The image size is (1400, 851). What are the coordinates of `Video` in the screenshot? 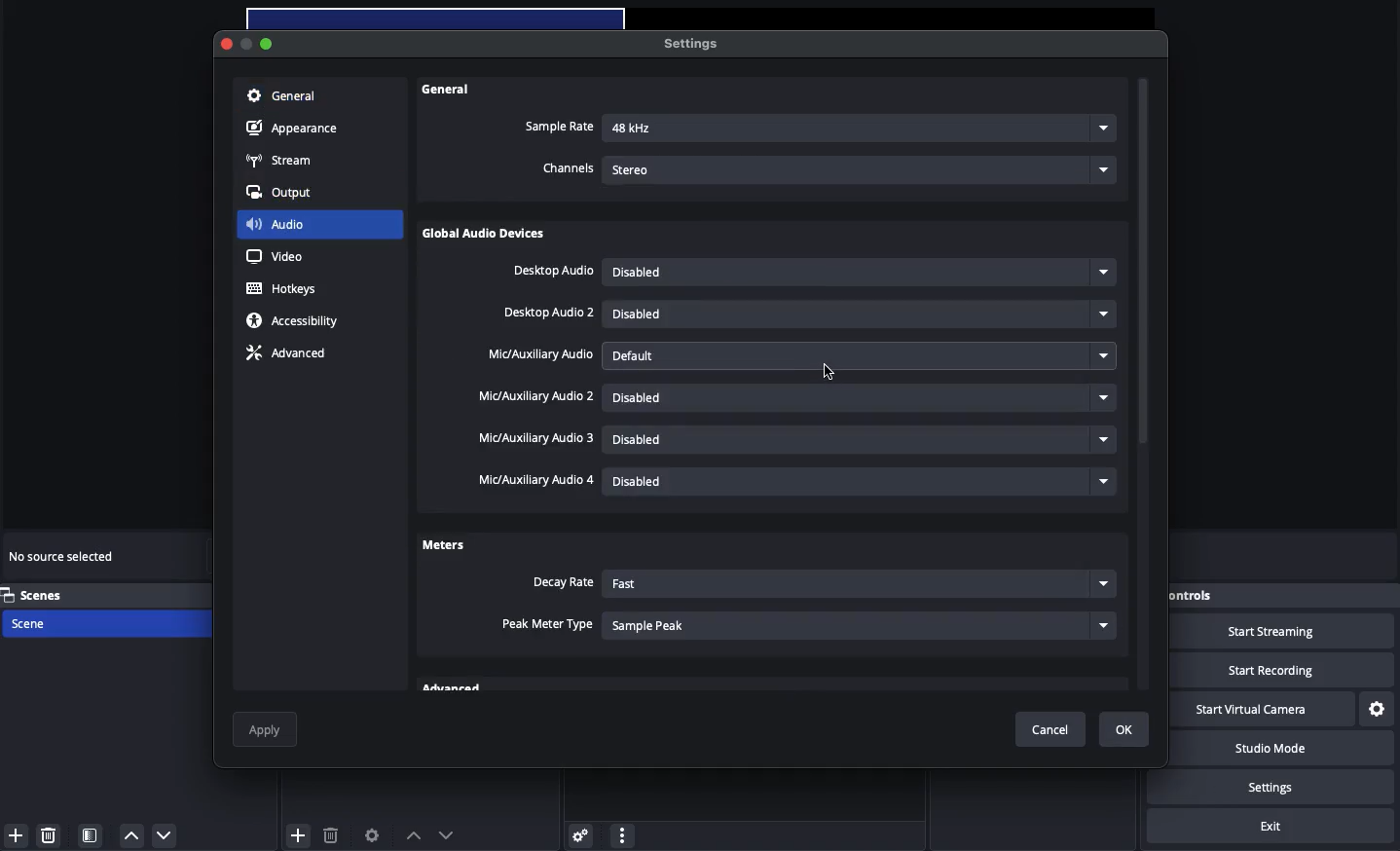 It's located at (275, 256).